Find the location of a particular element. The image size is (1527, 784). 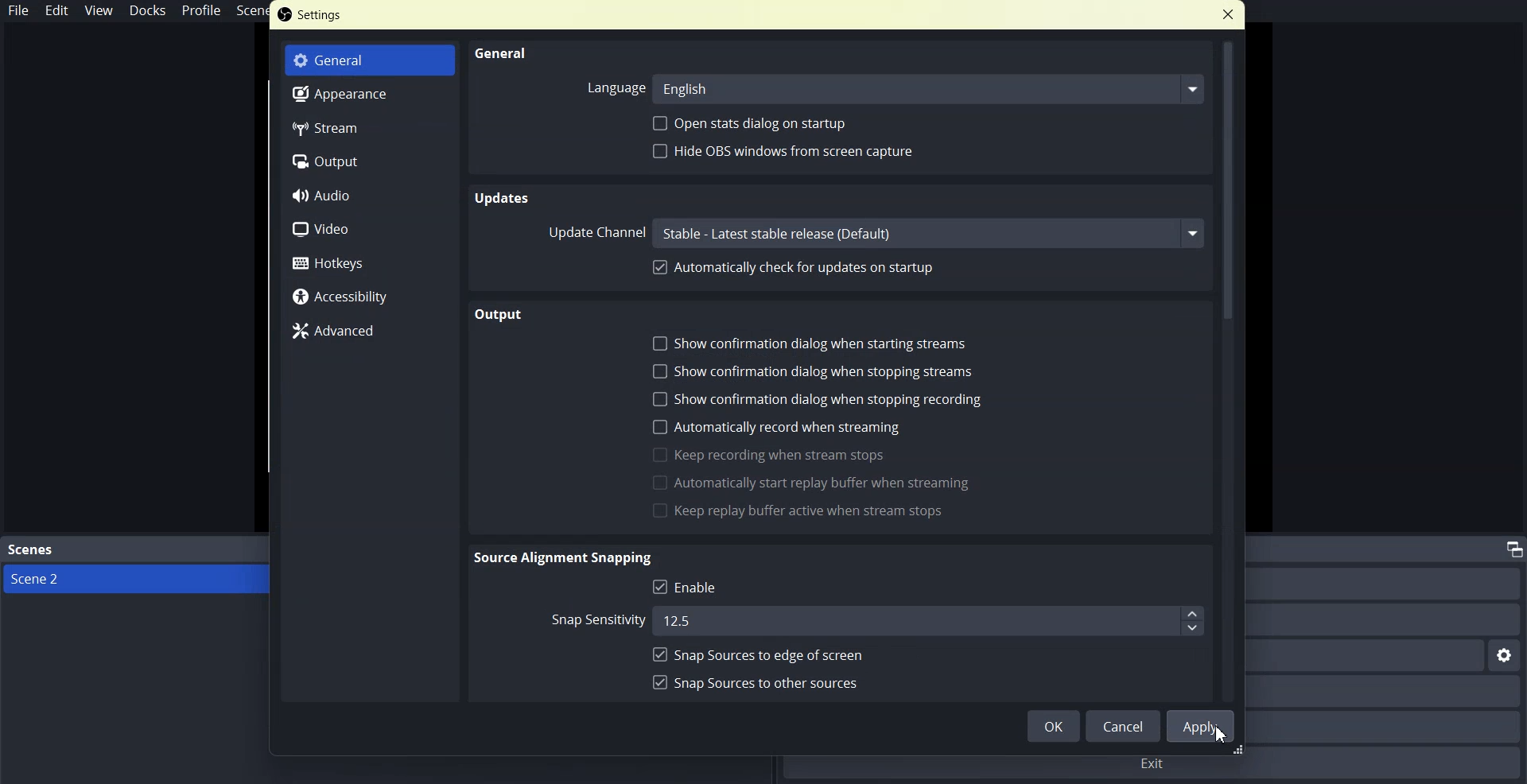

Vertical Scroll bar is located at coordinates (1230, 372).